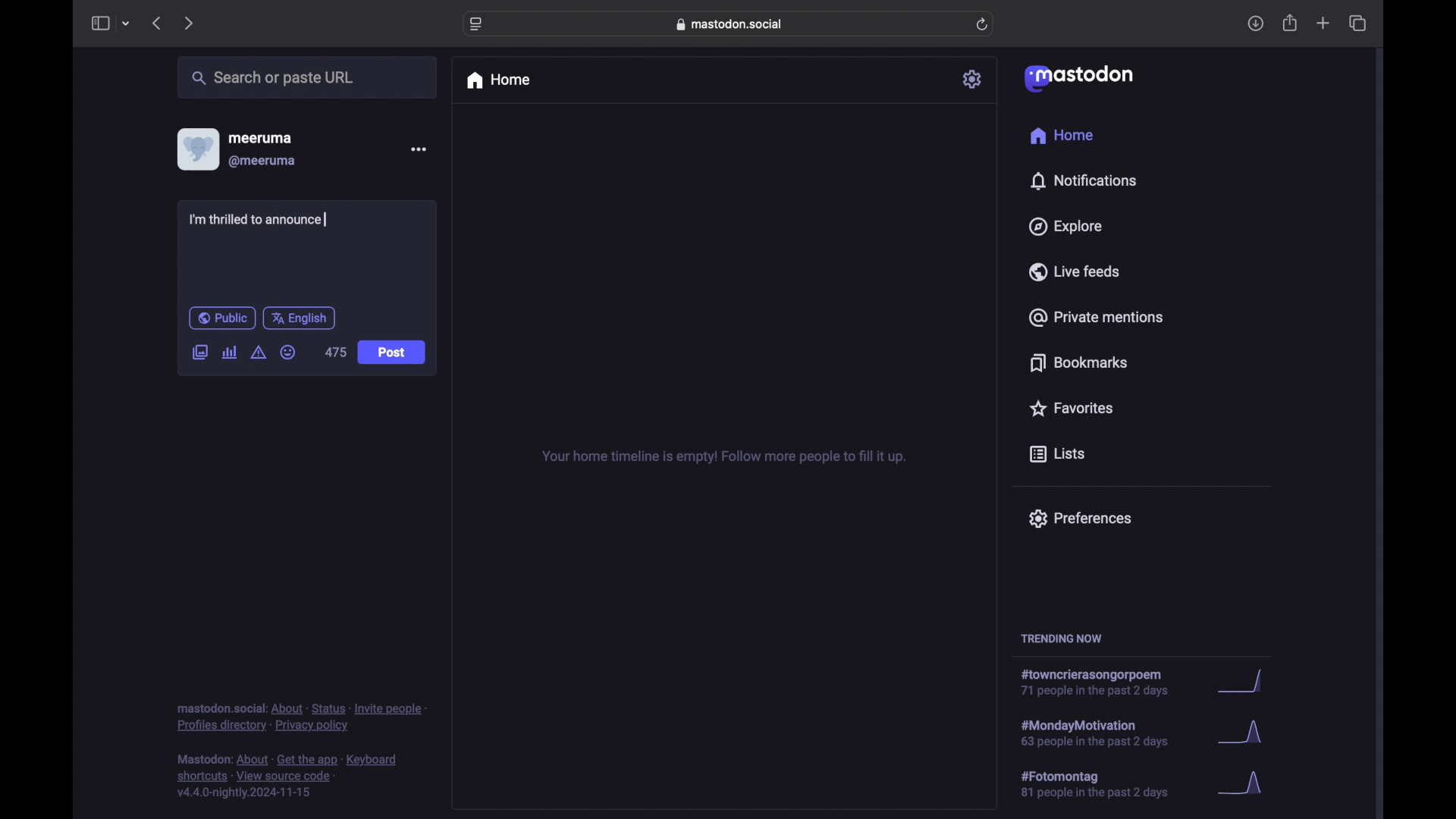  I want to click on more options, so click(418, 149).